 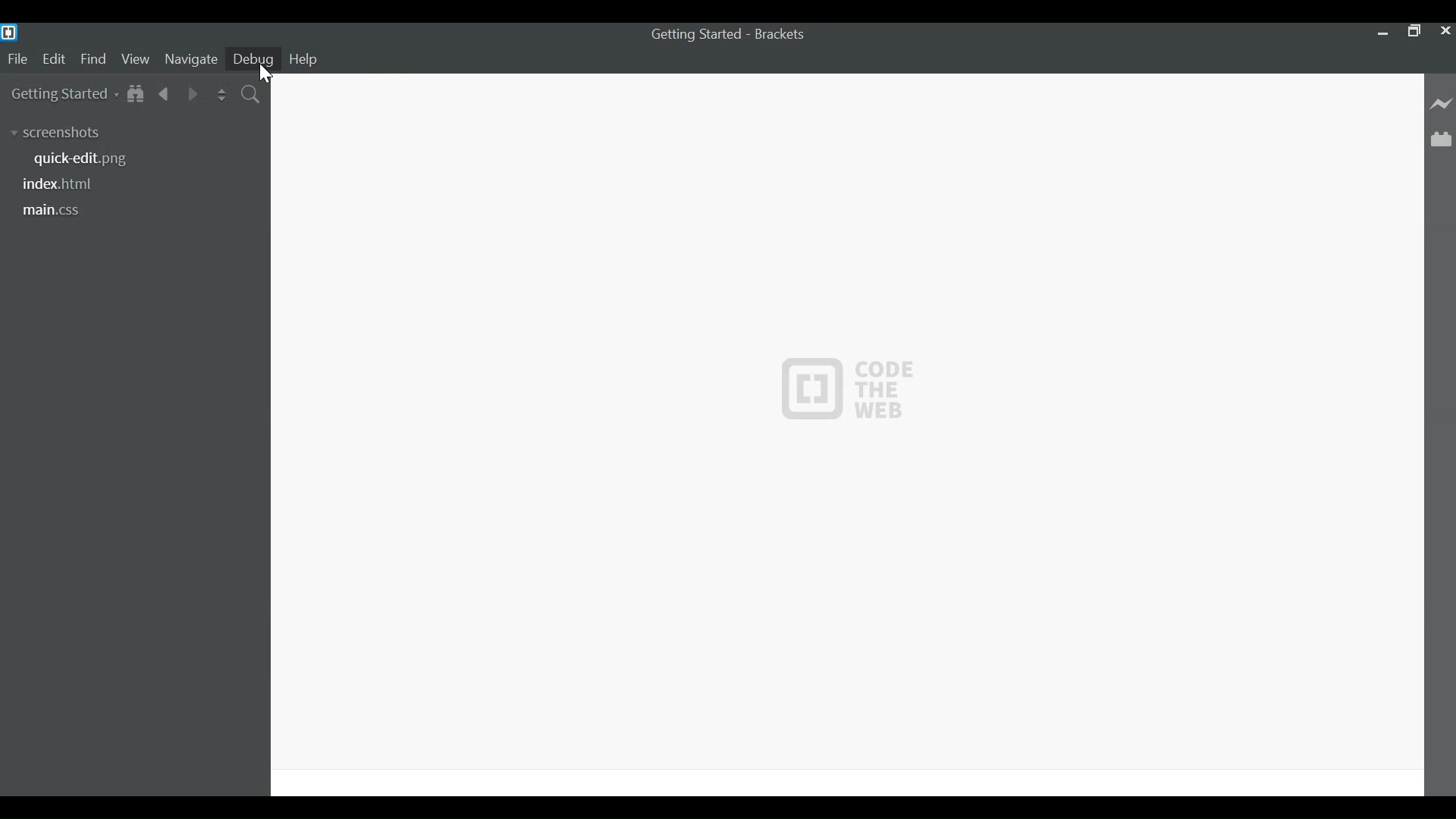 I want to click on Find in Files, so click(x=252, y=96).